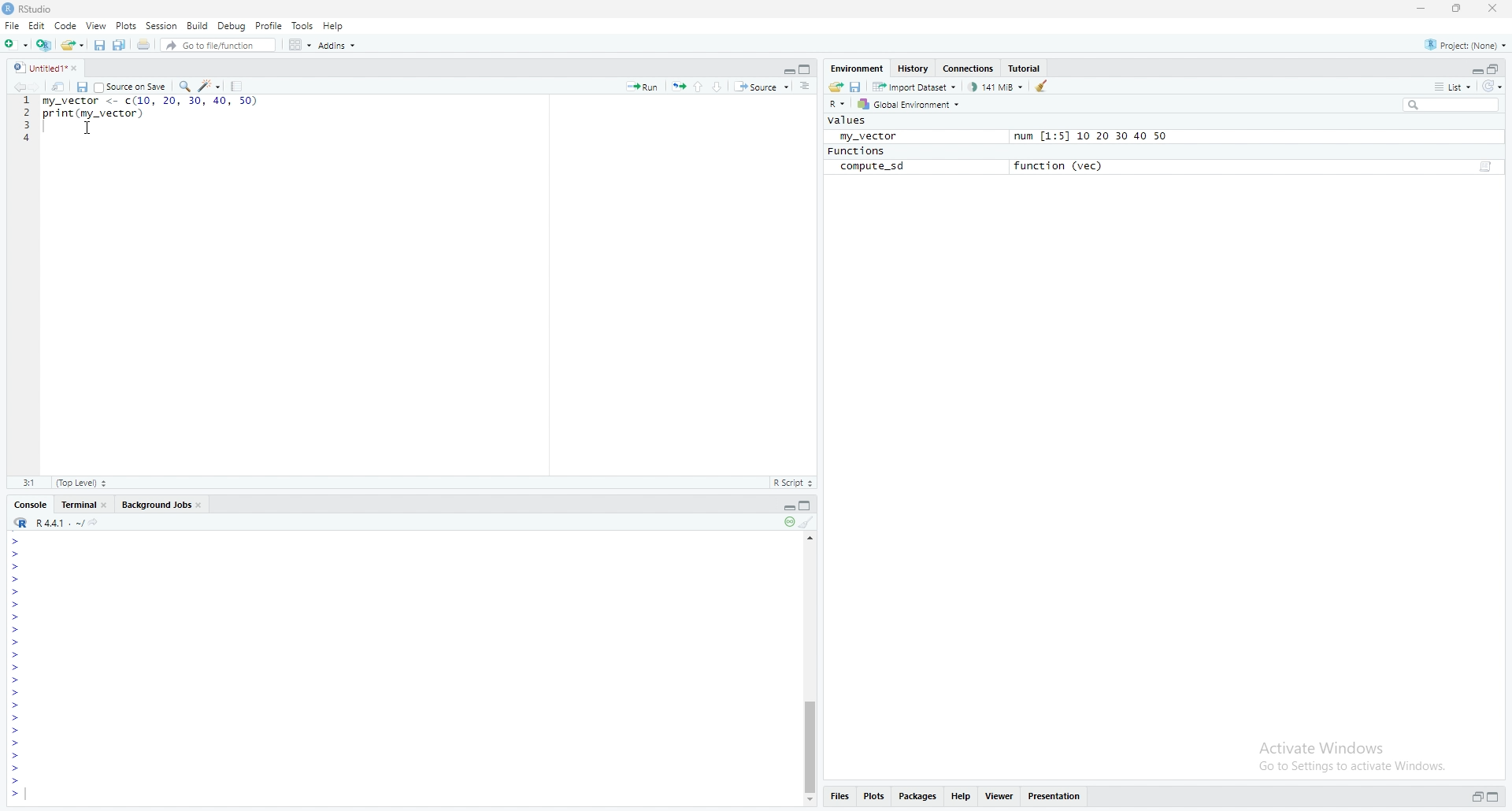 Image resolution: width=1512 pixels, height=811 pixels. What do you see at coordinates (14, 743) in the screenshot?
I see `Prompt cursor` at bounding box center [14, 743].